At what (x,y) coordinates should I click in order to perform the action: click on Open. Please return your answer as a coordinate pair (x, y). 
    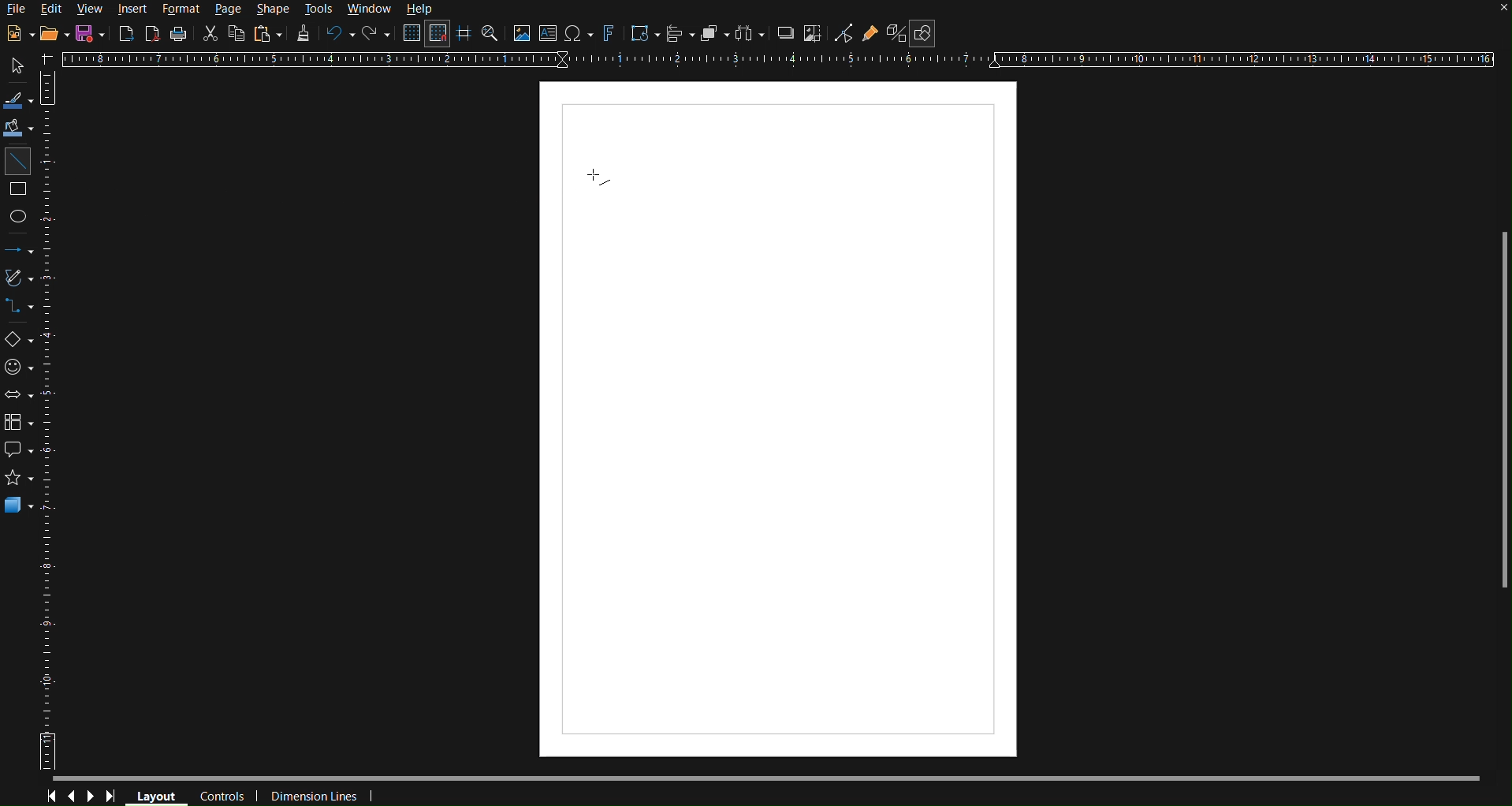
    Looking at the image, I should click on (50, 34).